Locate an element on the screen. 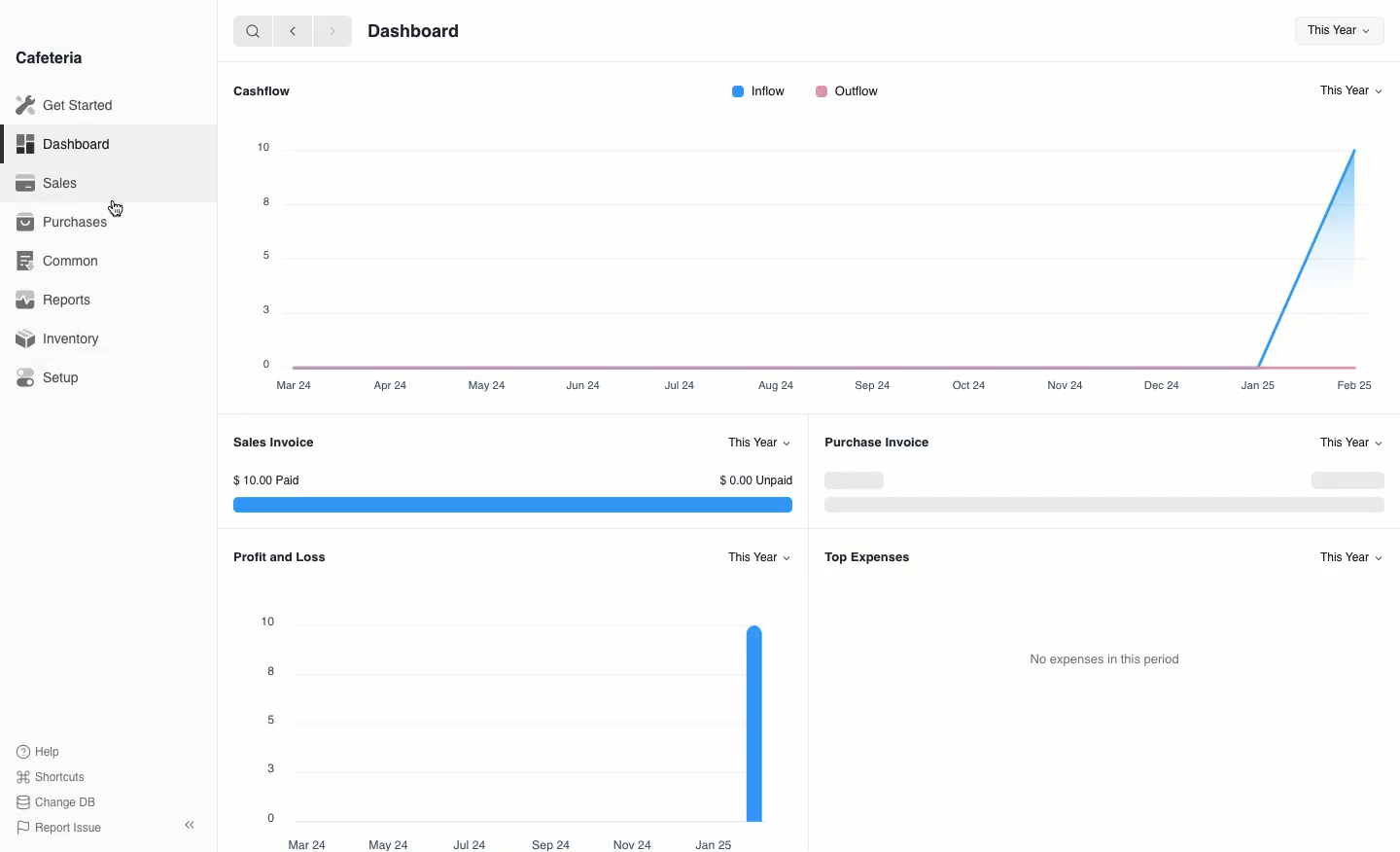 Image resolution: width=1400 pixels, height=852 pixels. 0 is located at coordinates (266, 363).